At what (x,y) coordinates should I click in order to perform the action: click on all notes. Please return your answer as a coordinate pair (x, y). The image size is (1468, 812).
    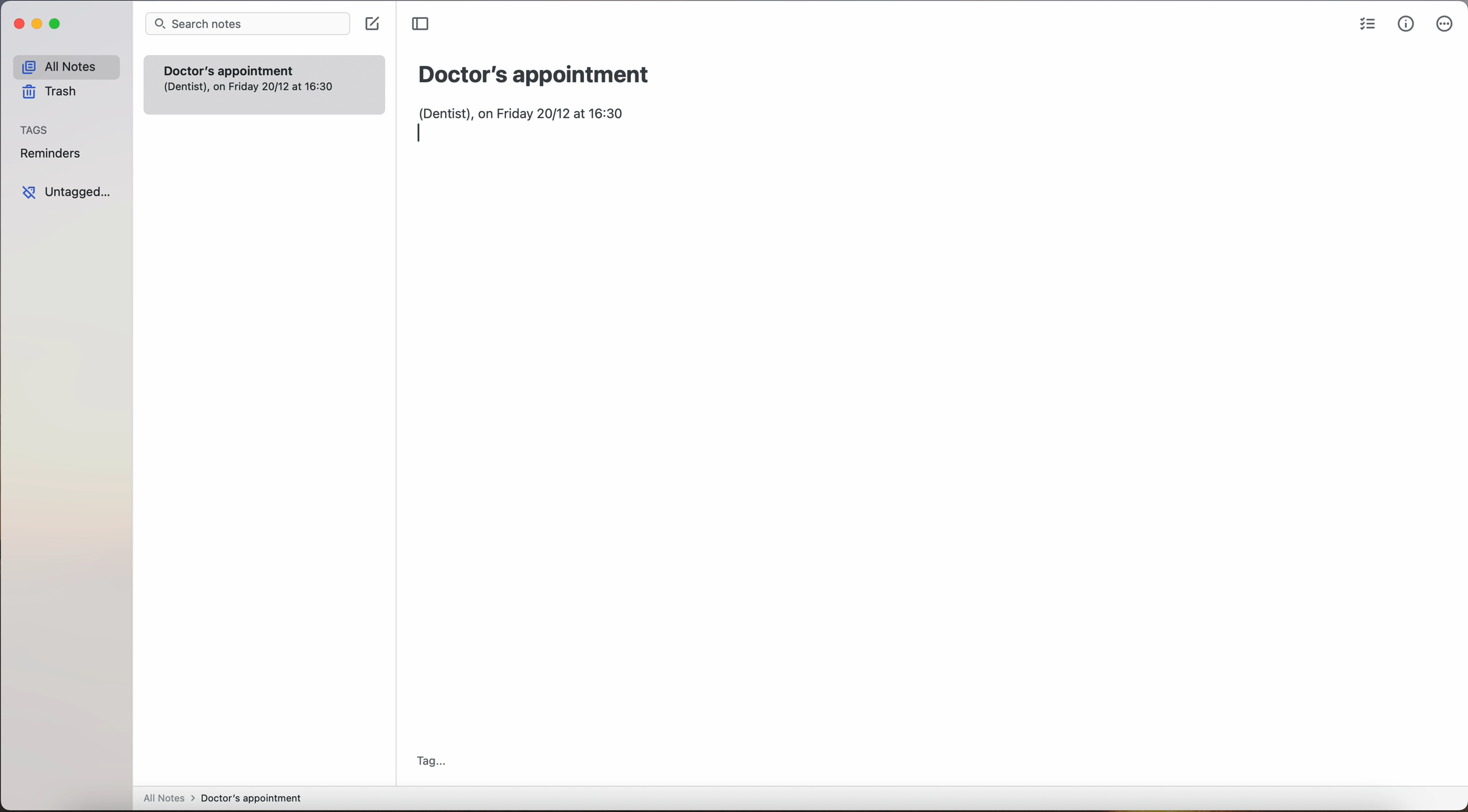
    Looking at the image, I should click on (66, 66).